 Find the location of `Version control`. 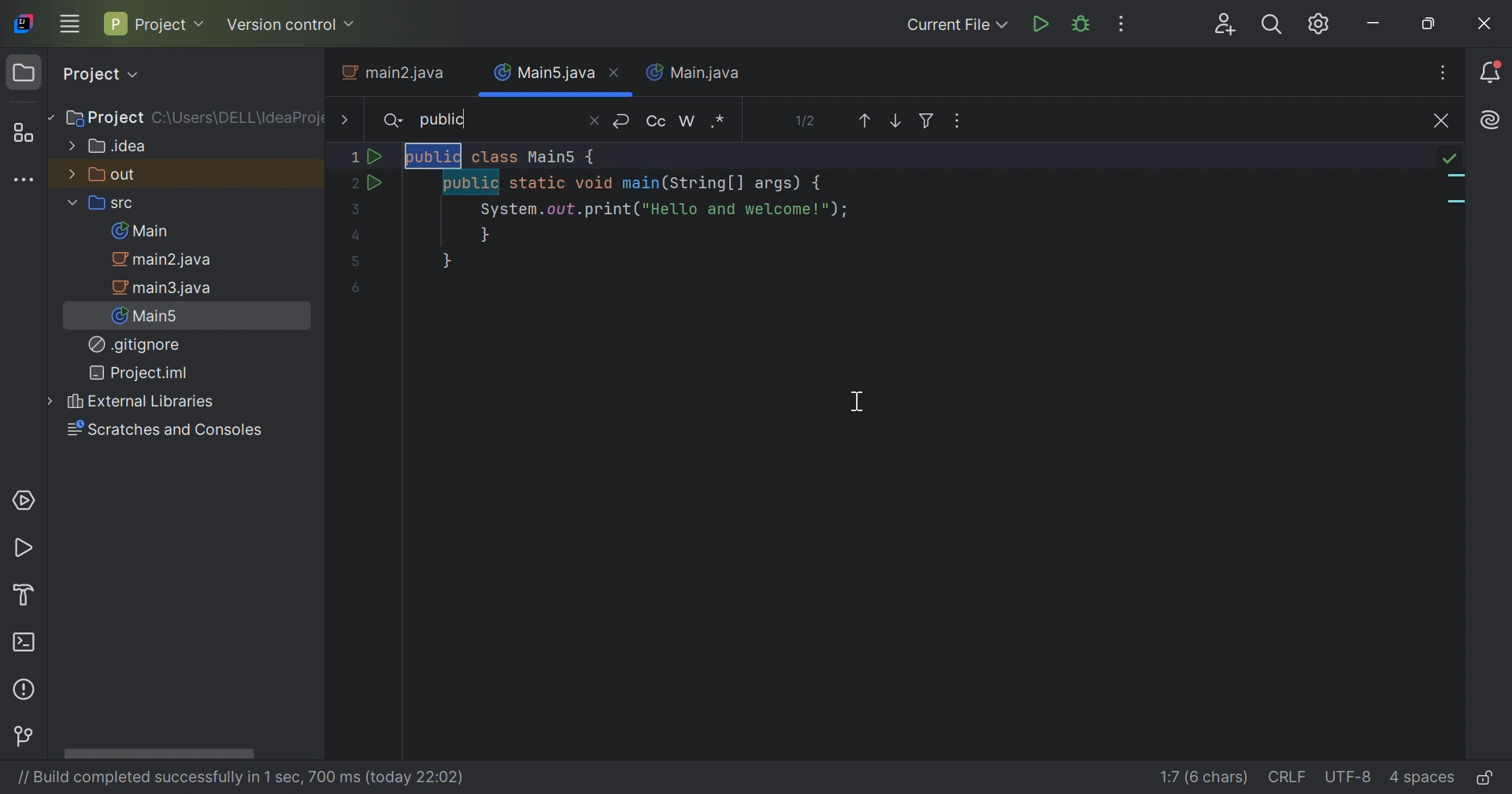

Version control is located at coordinates (291, 26).